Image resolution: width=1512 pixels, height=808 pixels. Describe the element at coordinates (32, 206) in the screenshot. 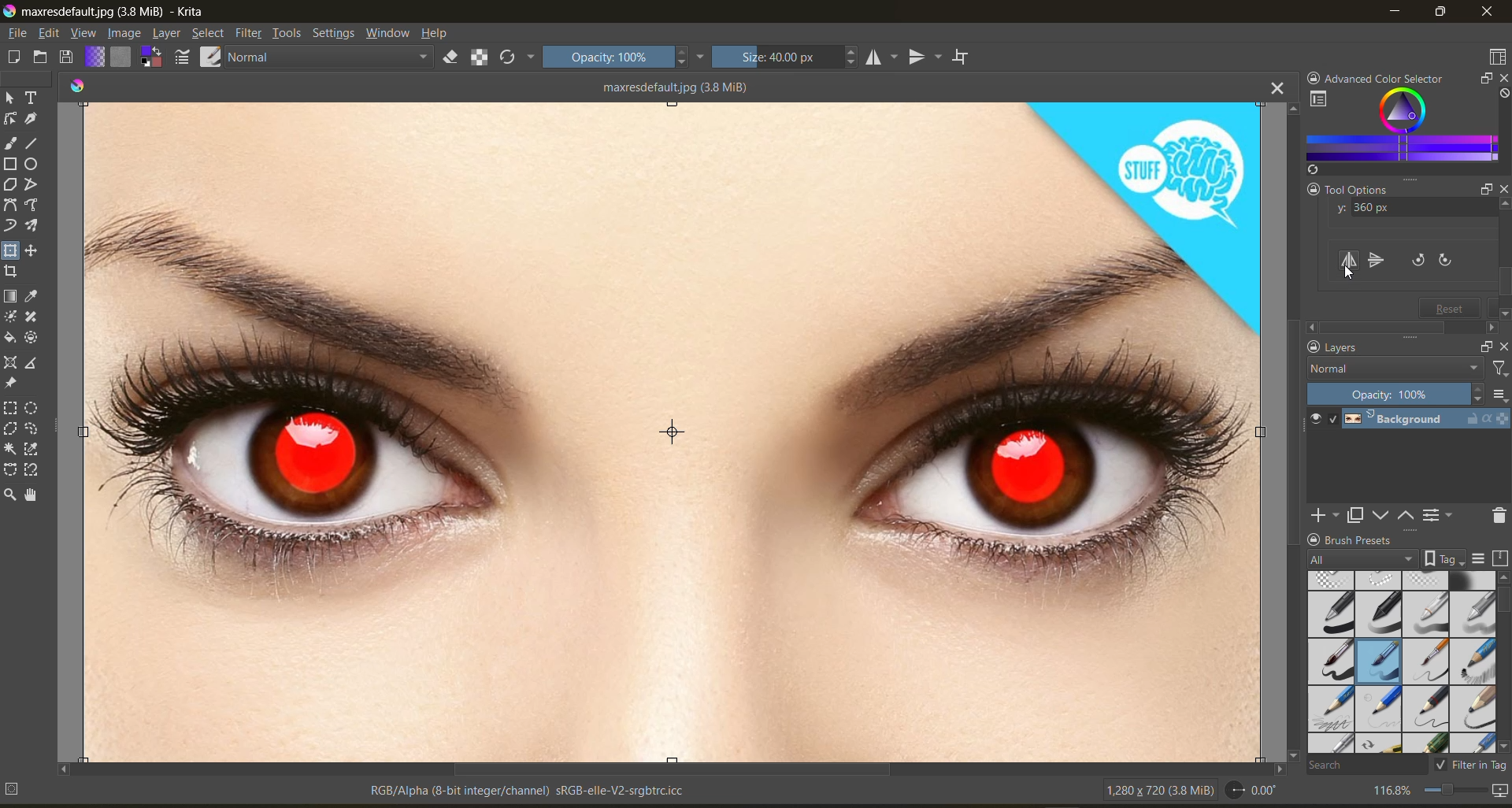

I see `tool` at that location.